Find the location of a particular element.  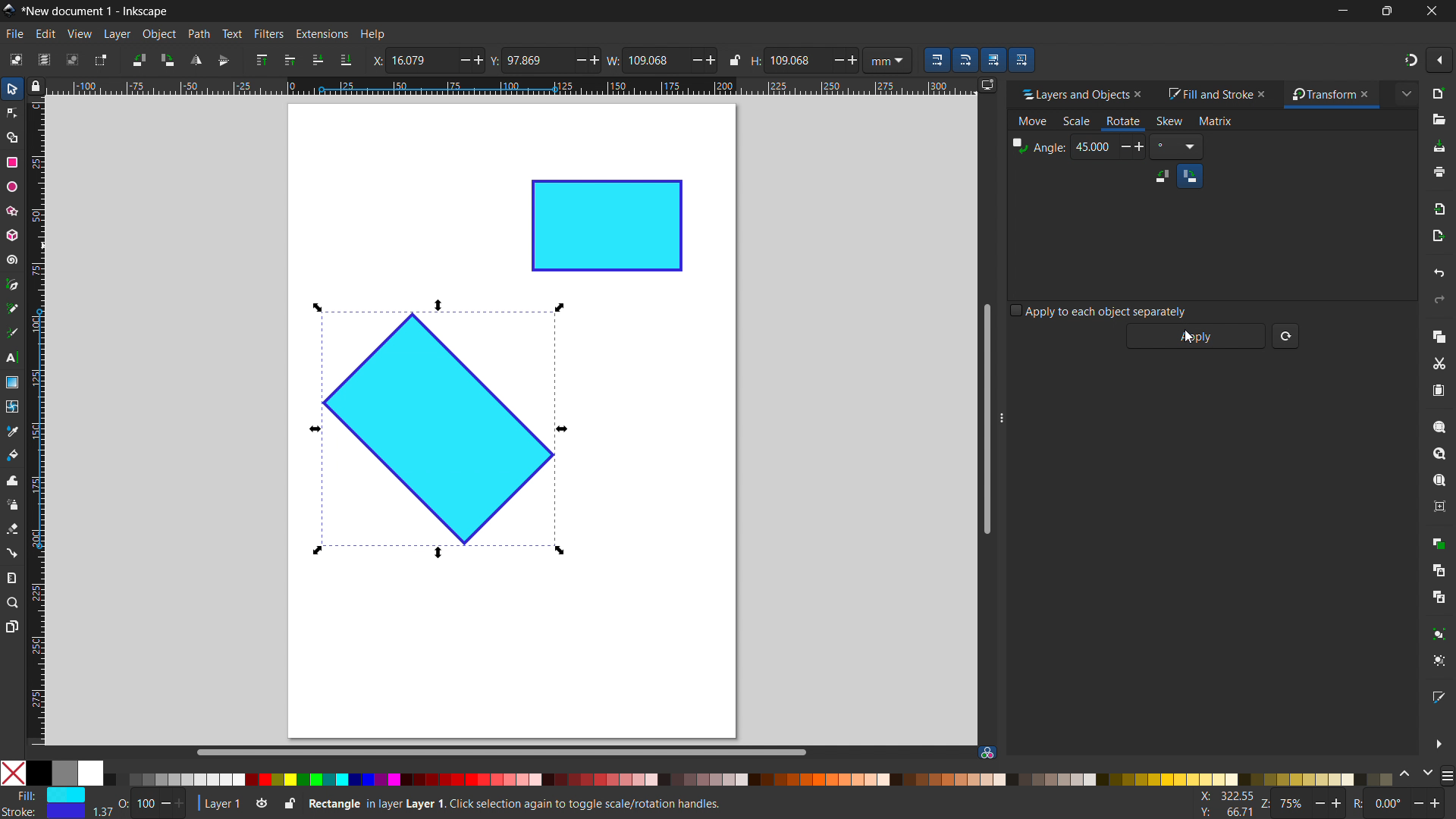

rotate 90 cw is located at coordinates (167, 60).